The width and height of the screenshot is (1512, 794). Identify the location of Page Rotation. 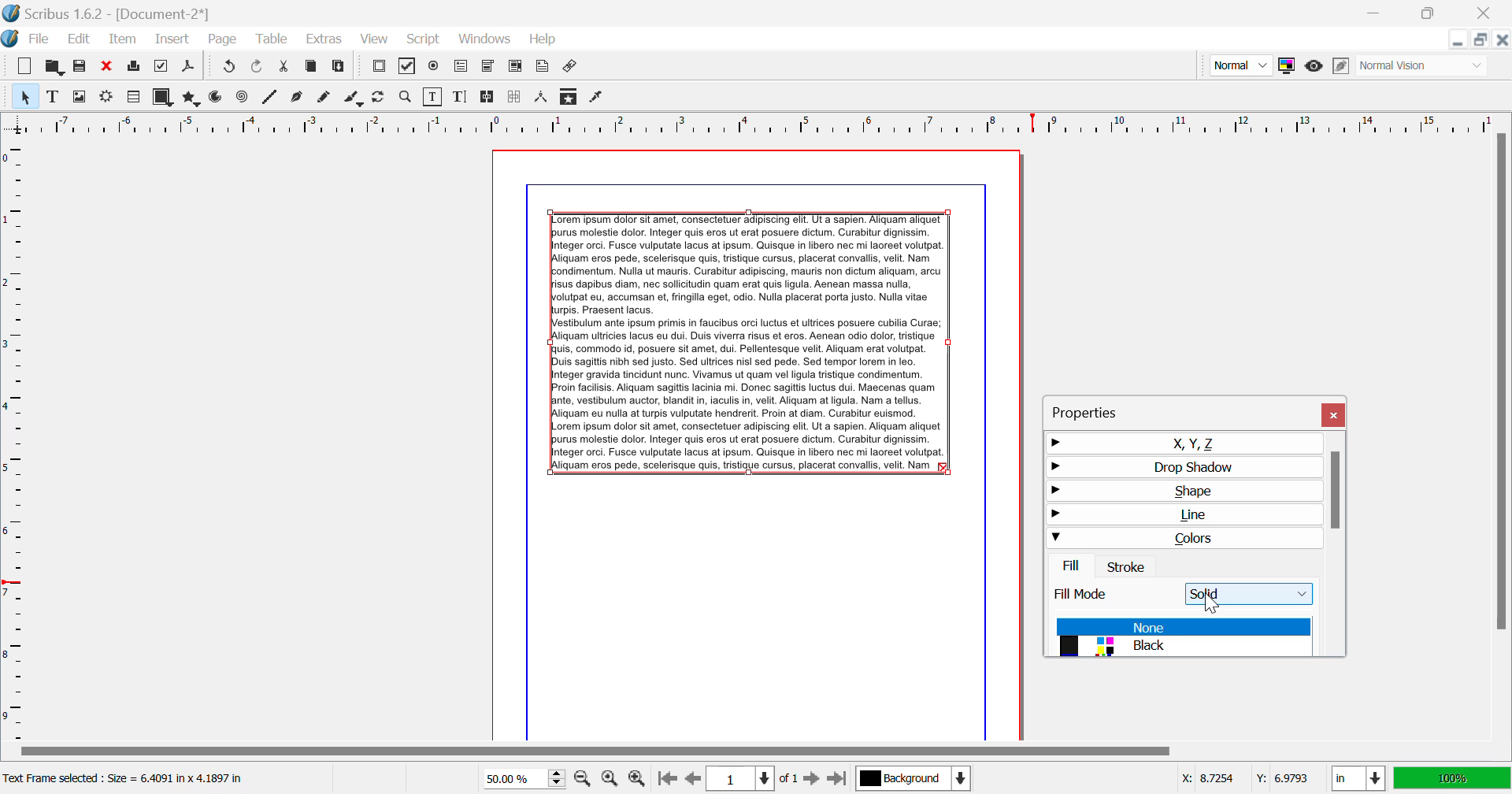
(382, 98).